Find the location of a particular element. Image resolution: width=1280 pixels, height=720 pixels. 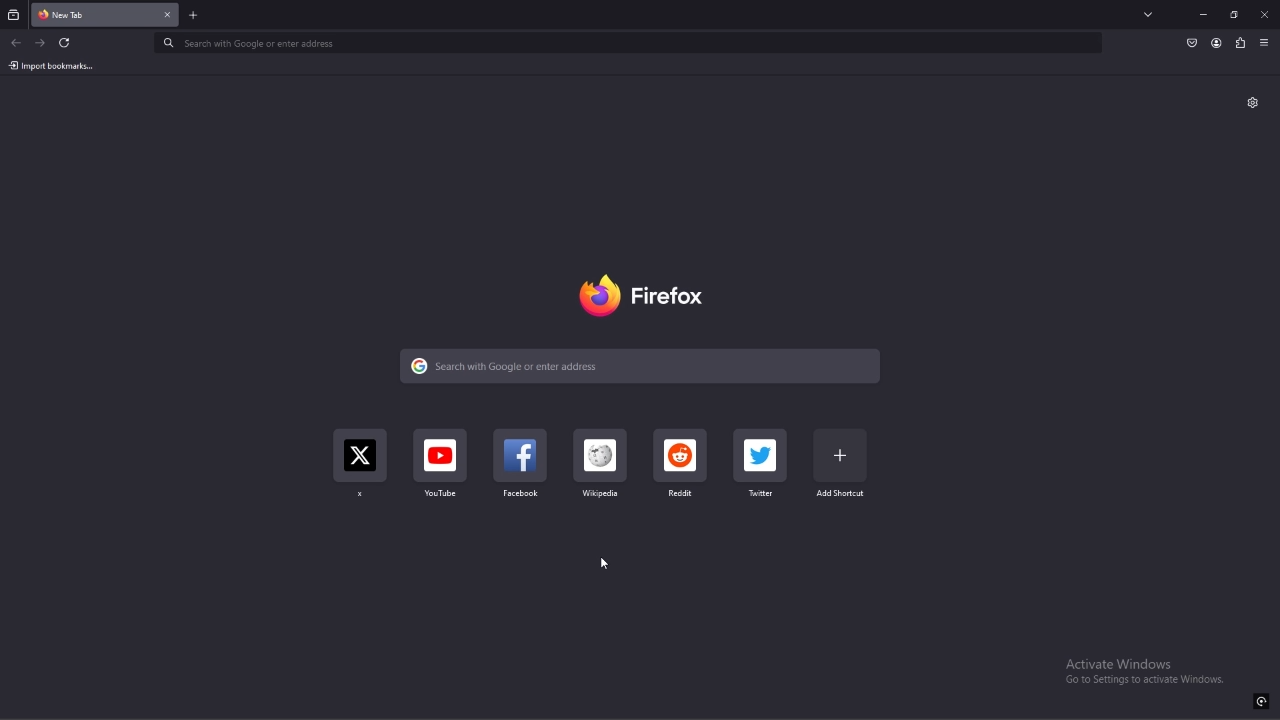

list all tabs is located at coordinates (1150, 16).